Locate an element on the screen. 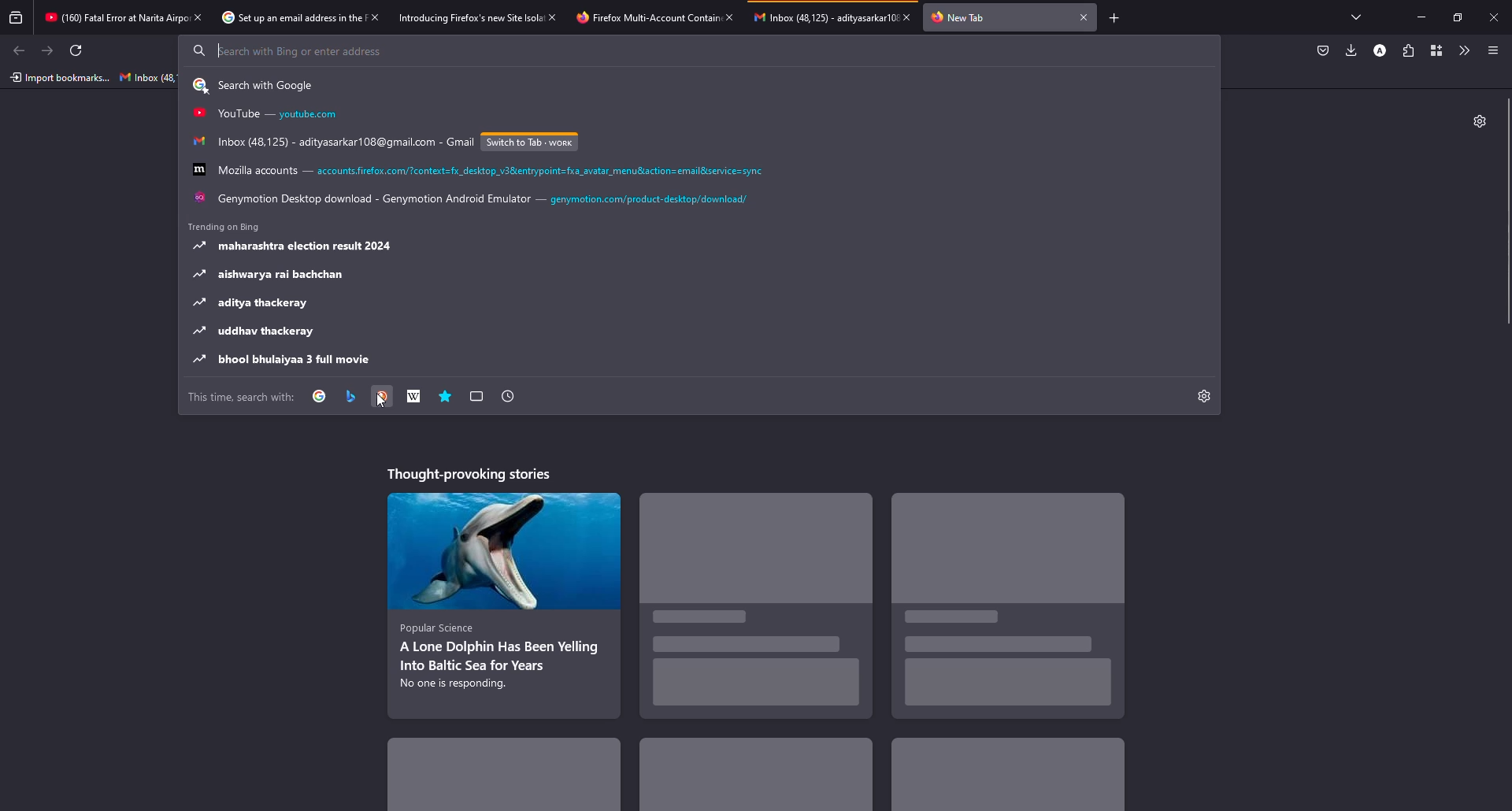  tab is located at coordinates (109, 15).